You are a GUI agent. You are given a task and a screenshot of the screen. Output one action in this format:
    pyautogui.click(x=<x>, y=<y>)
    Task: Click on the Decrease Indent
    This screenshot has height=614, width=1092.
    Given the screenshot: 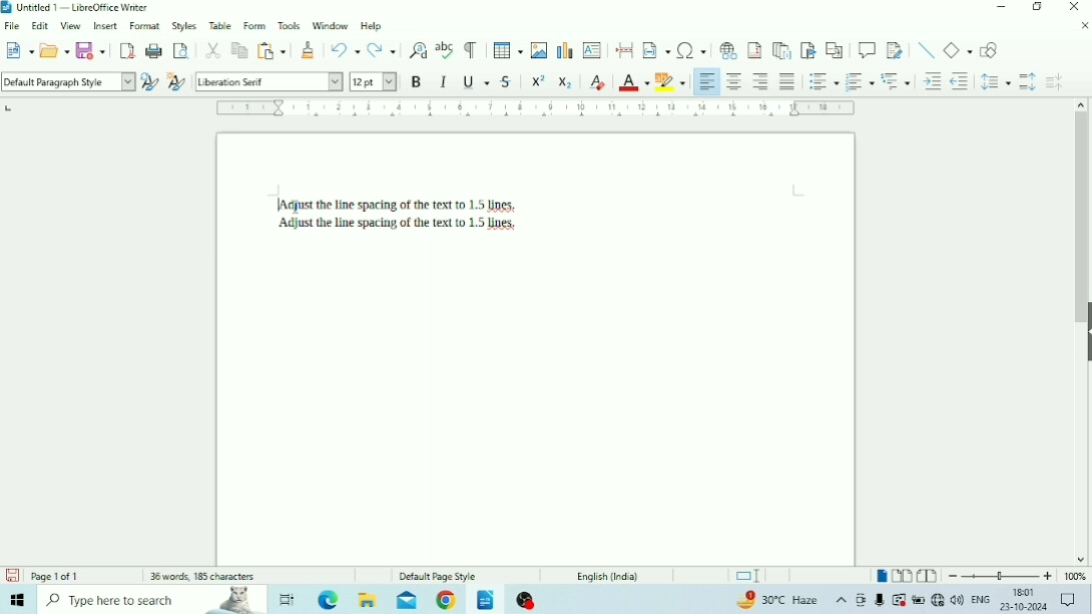 What is the action you would take?
    pyautogui.click(x=960, y=81)
    